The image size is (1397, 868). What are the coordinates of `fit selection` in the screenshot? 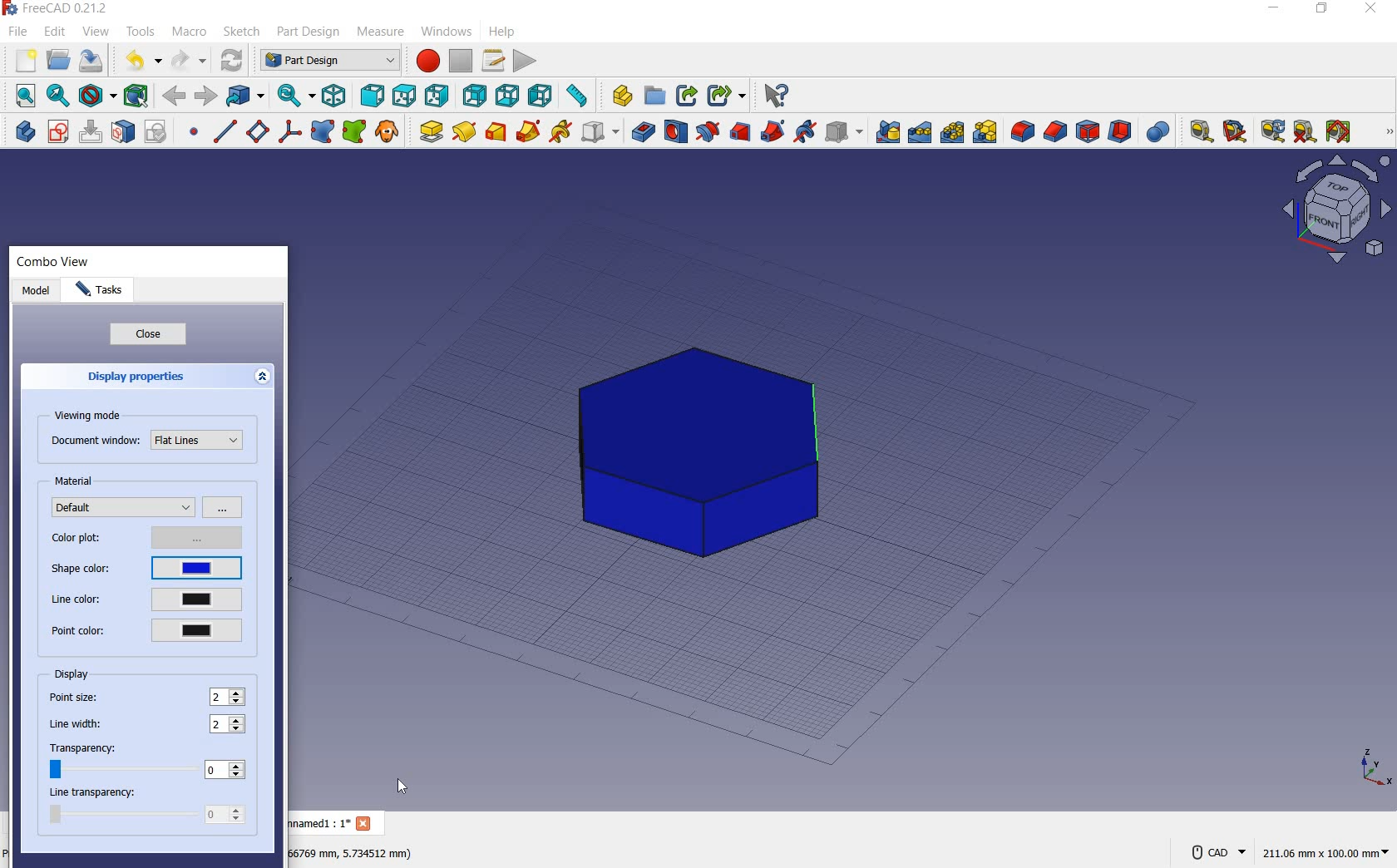 It's located at (57, 96).